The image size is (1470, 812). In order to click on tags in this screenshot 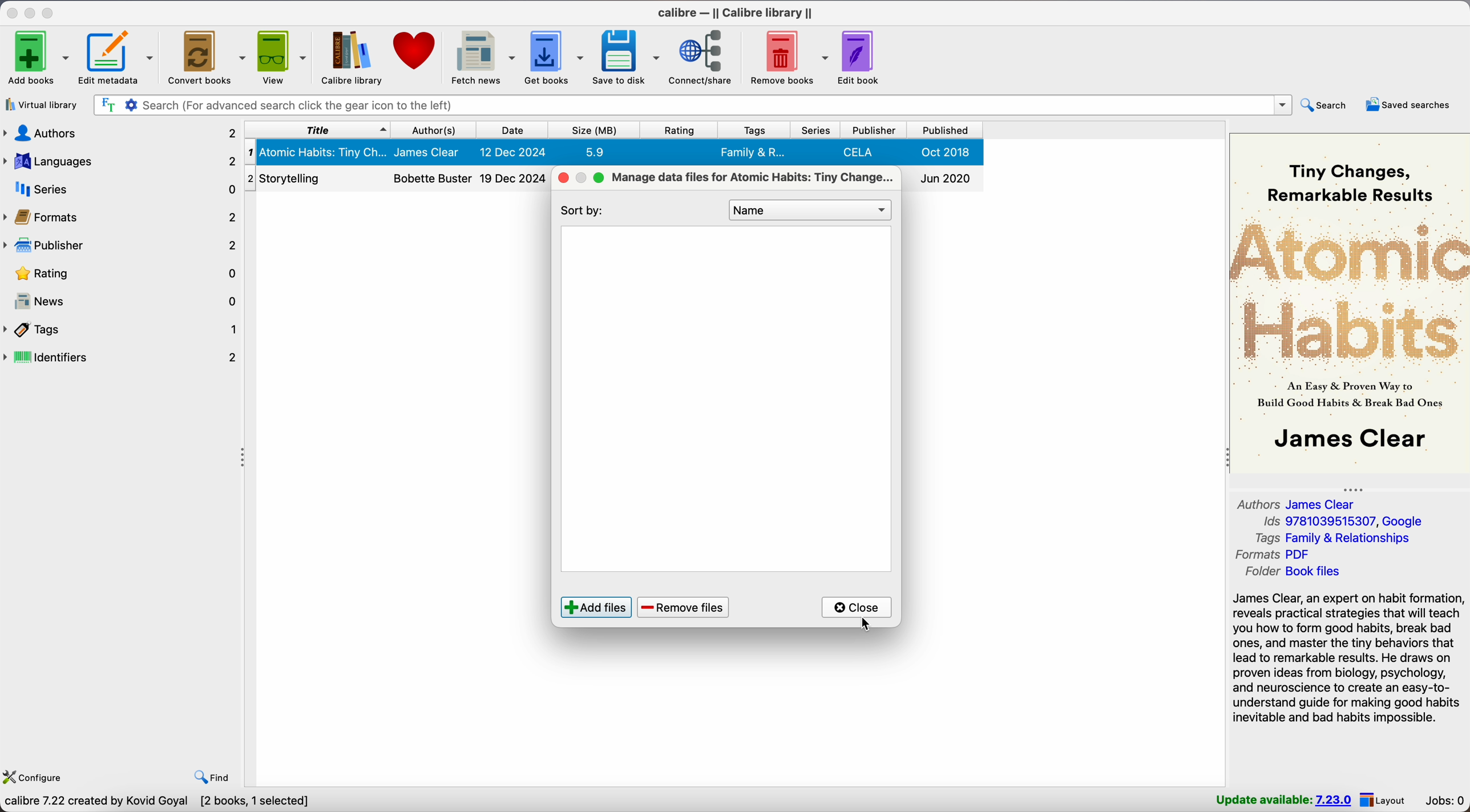, I will do `click(122, 329)`.